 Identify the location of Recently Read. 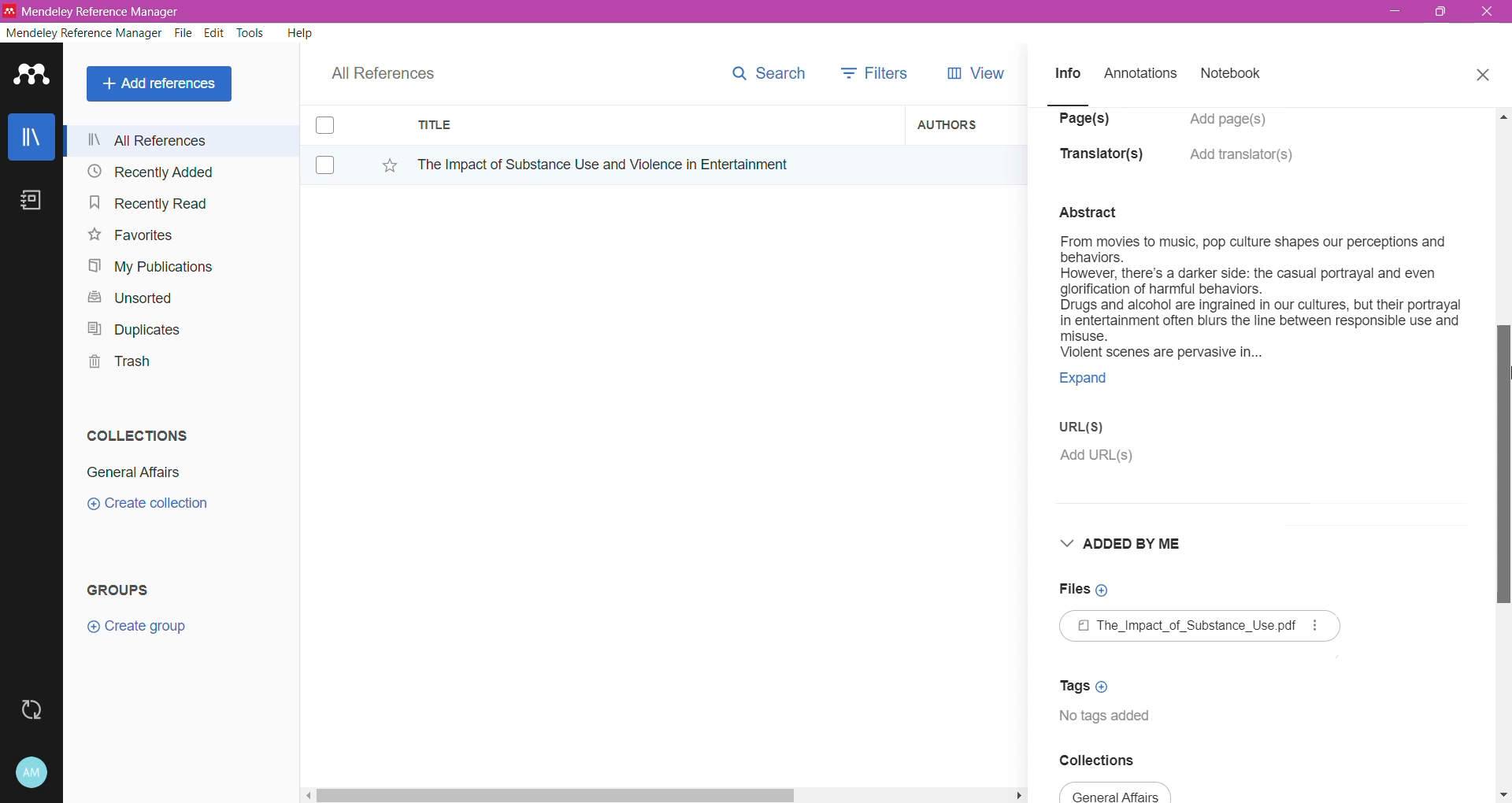
(148, 202).